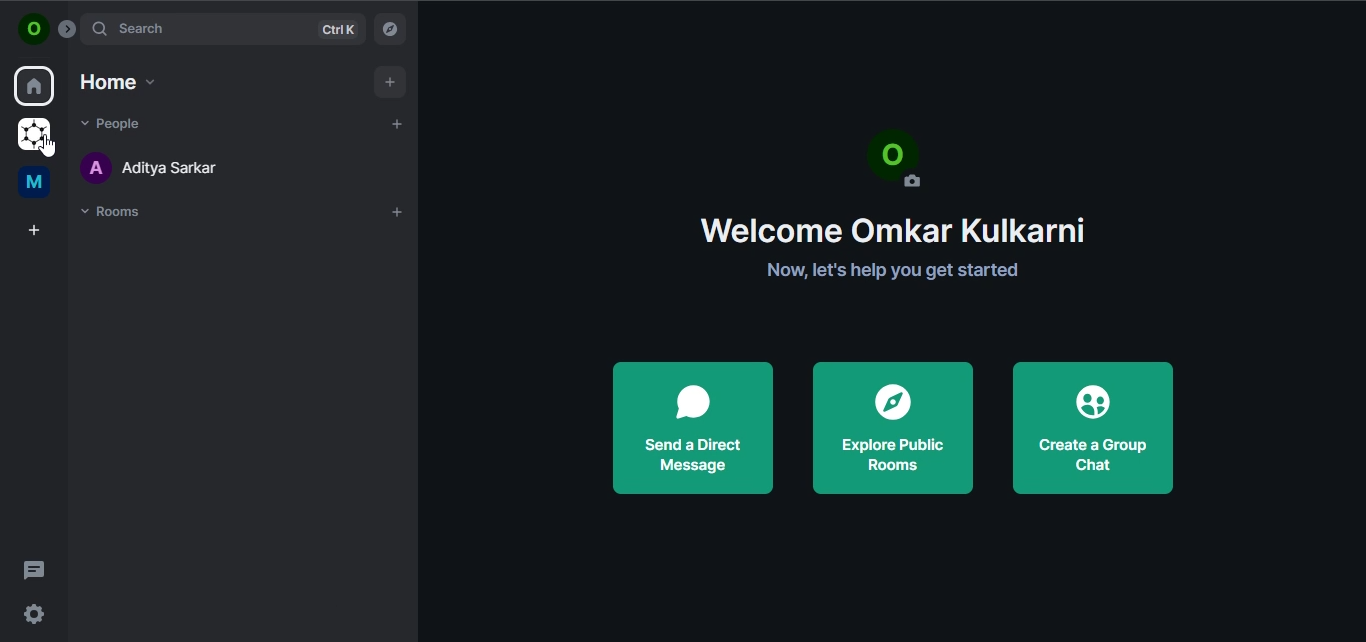 This screenshot has height=642, width=1366. Describe the element at coordinates (893, 426) in the screenshot. I see `explore public rooms` at that location.